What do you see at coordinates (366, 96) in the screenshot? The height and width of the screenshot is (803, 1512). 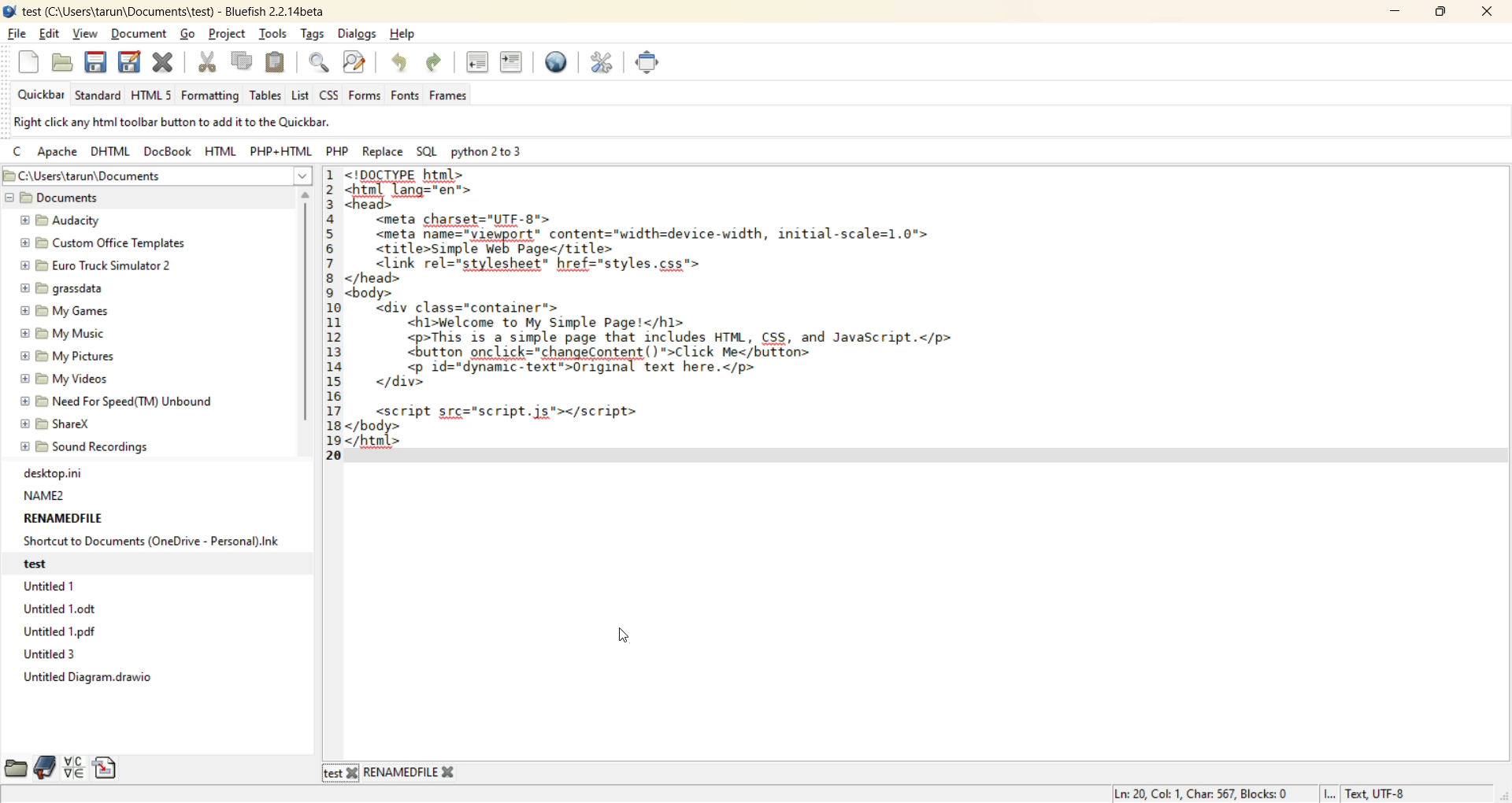 I see `forms` at bounding box center [366, 96].